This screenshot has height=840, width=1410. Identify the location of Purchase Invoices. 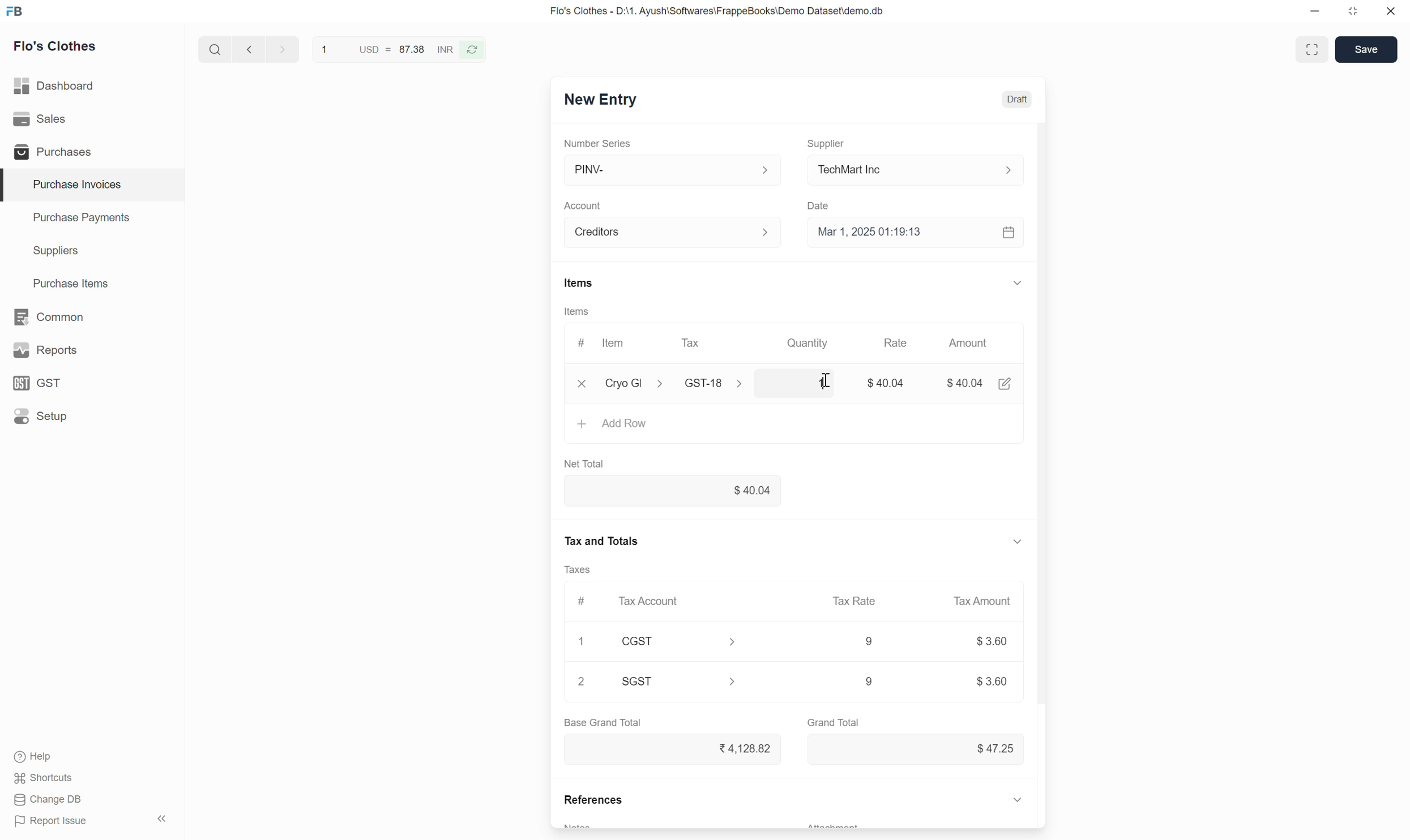
(70, 185).